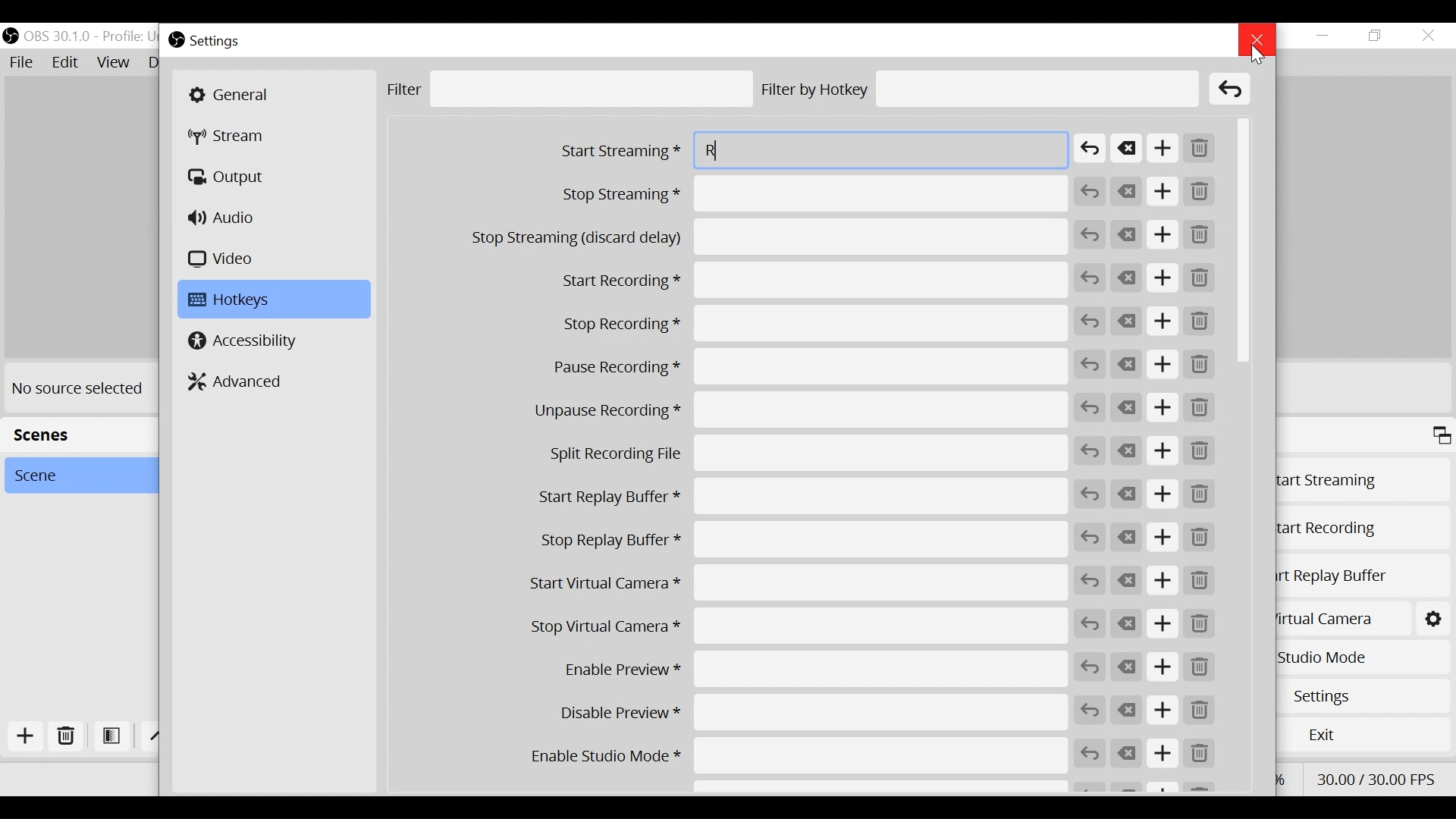 Image resolution: width=1456 pixels, height=819 pixels. Describe the element at coordinates (1200, 406) in the screenshot. I see `Remove` at that location.